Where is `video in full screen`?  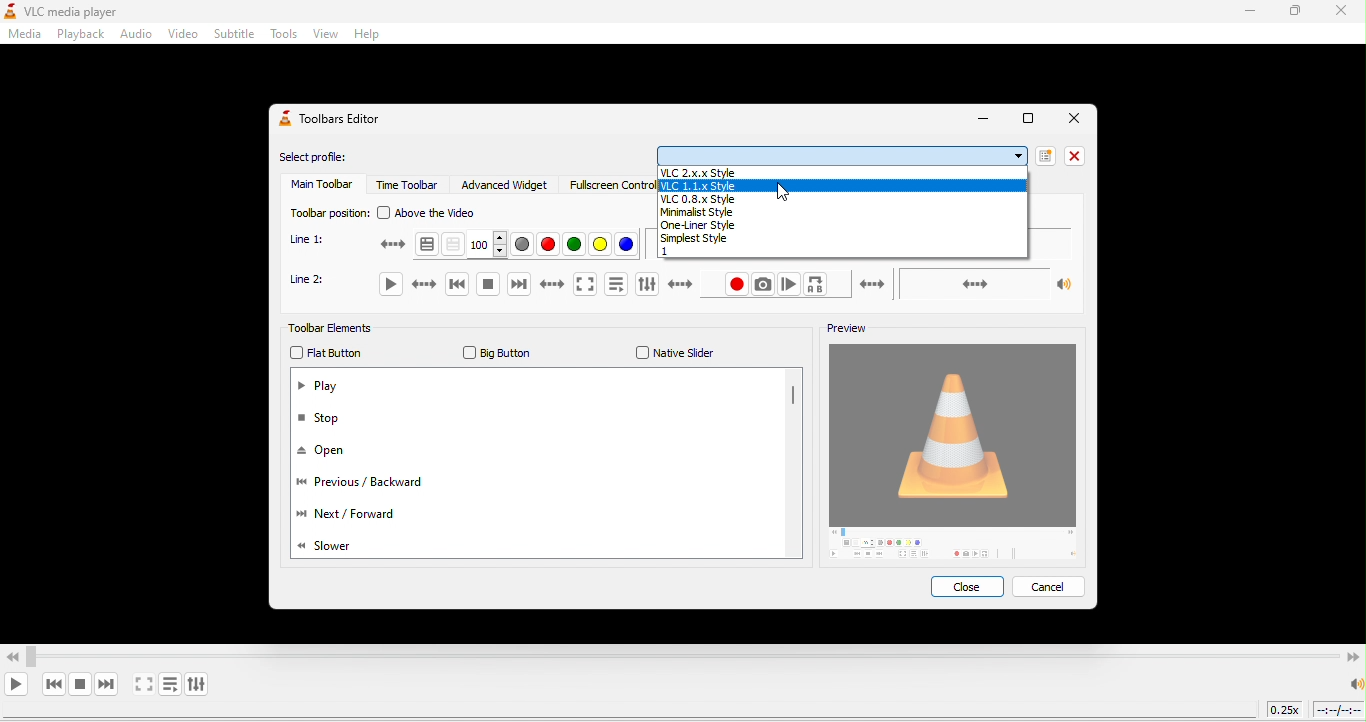
video in full screen is located at coordinates (590, 285).